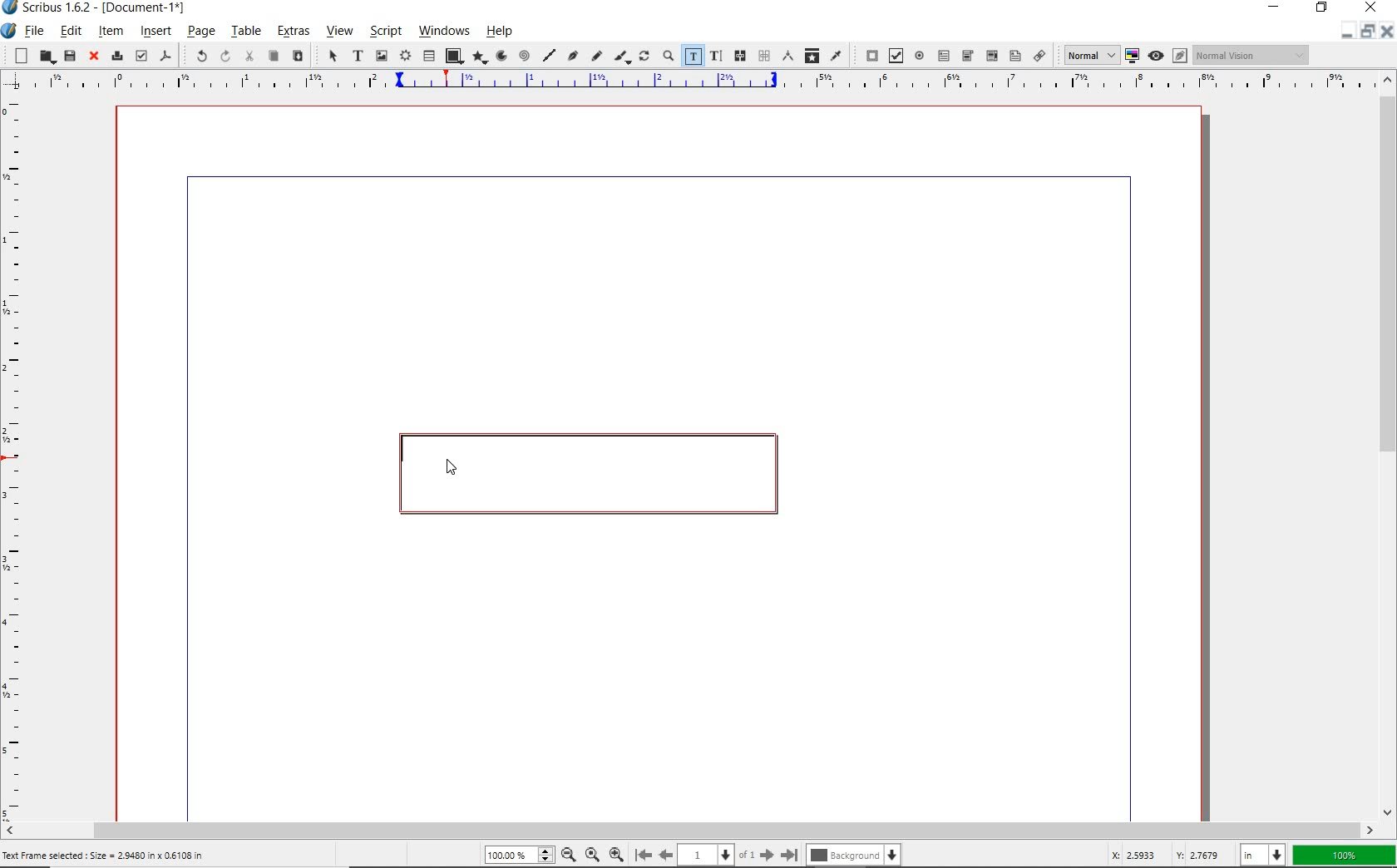  I want to click on eye dropper, so click(837, 55).